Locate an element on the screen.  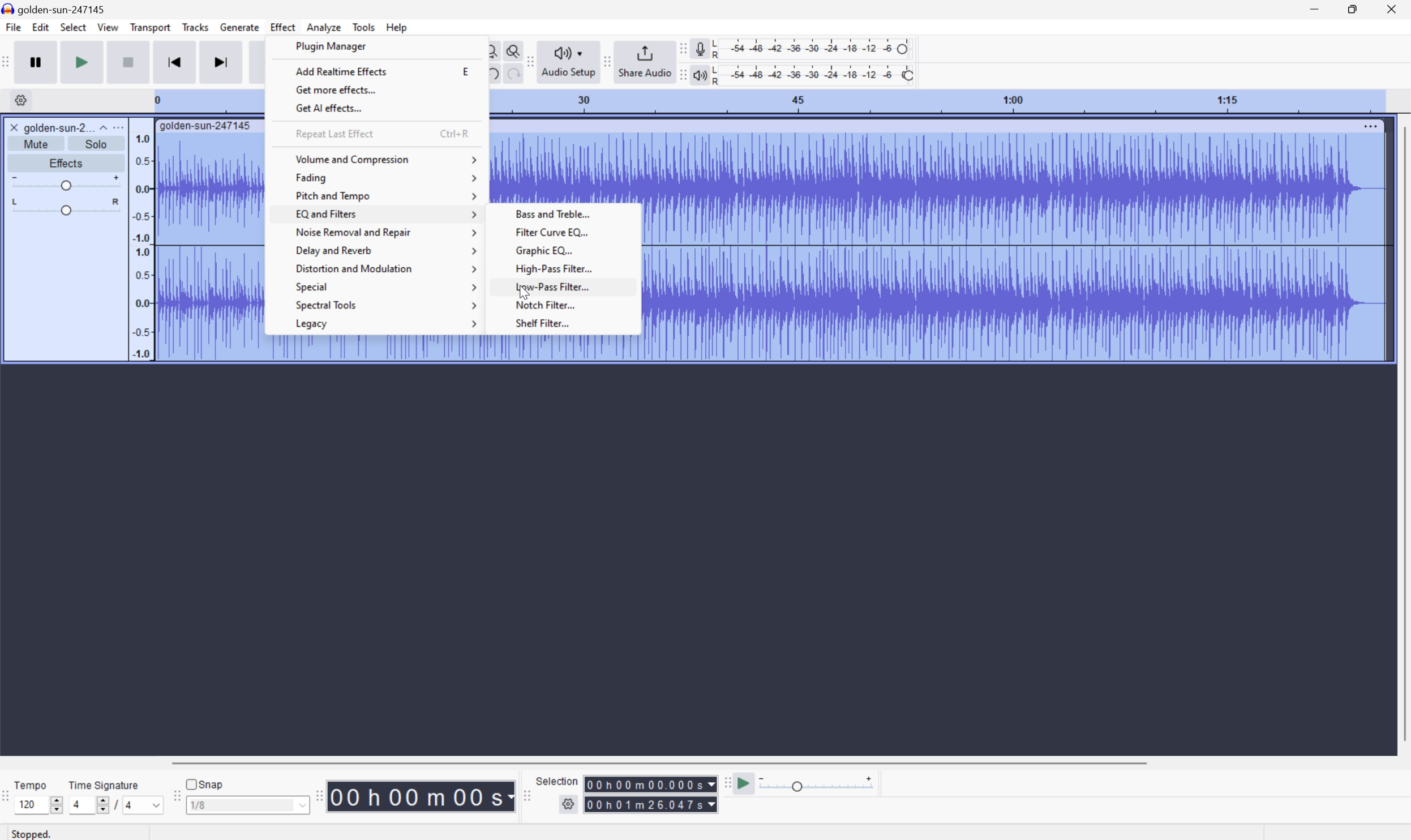
Recording level: 62% is located at coordinates (813, 49).